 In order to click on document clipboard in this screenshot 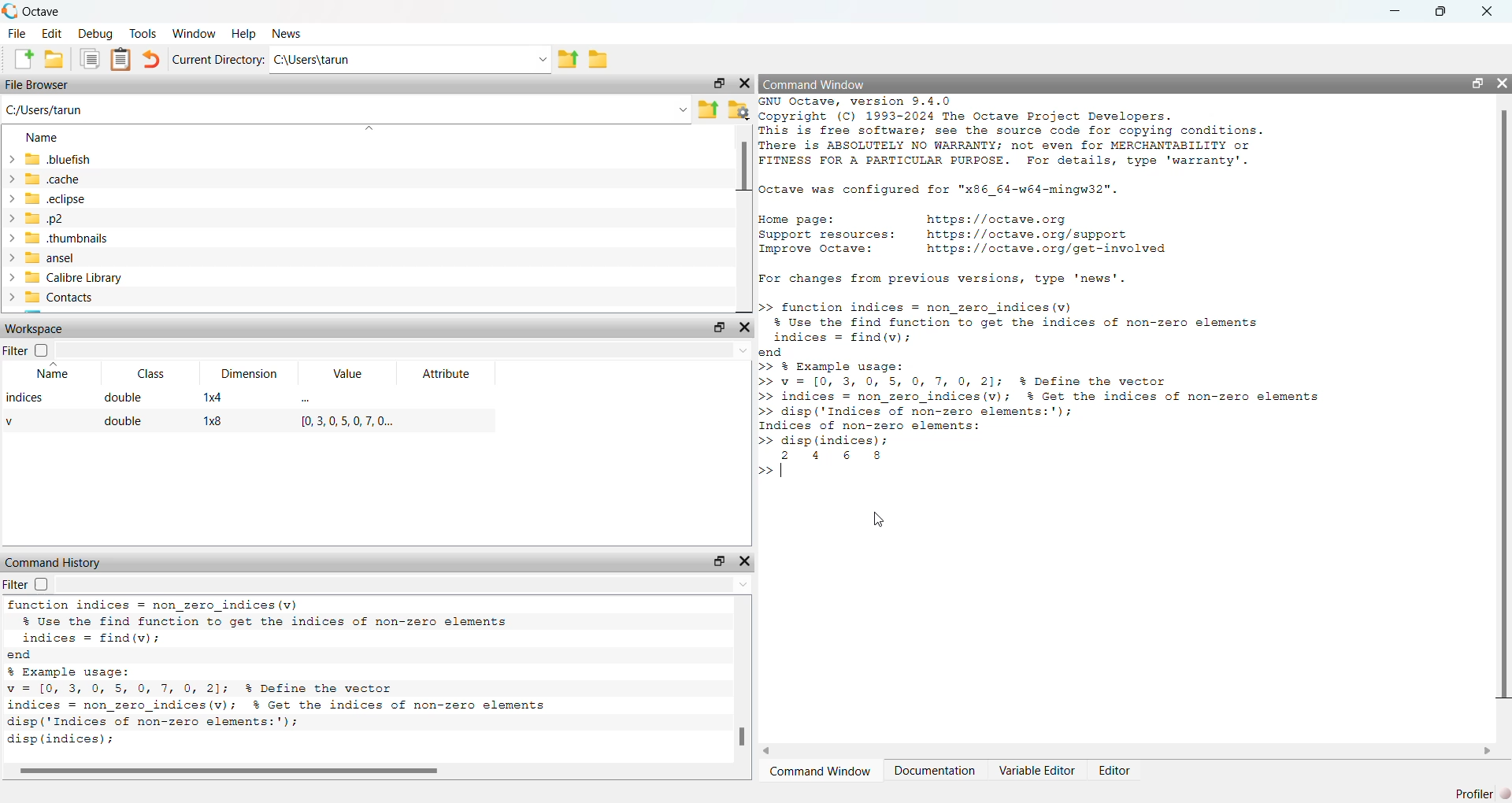, I will do `click(122, 61)`.